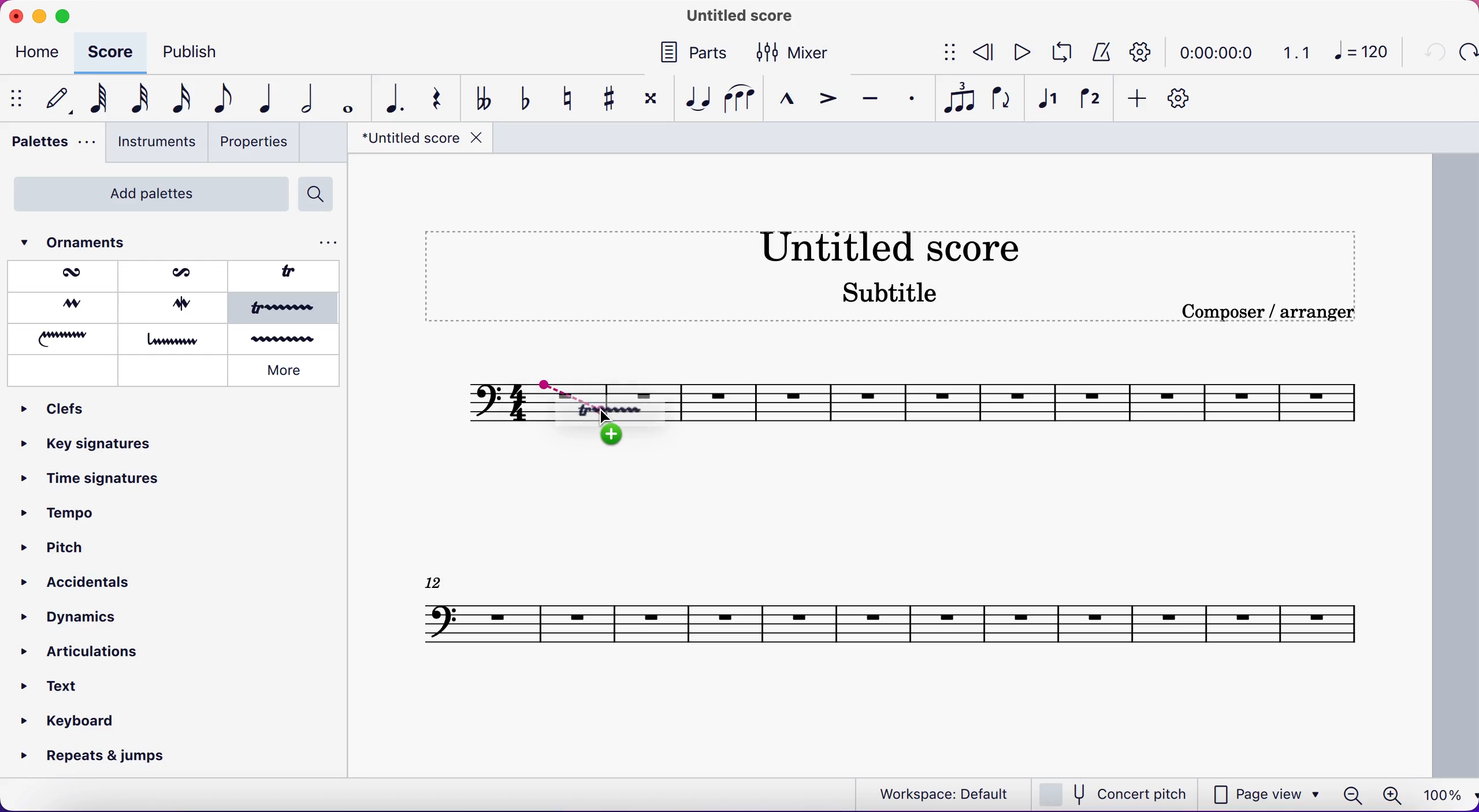  I want to click on Score, so click(891, 613).